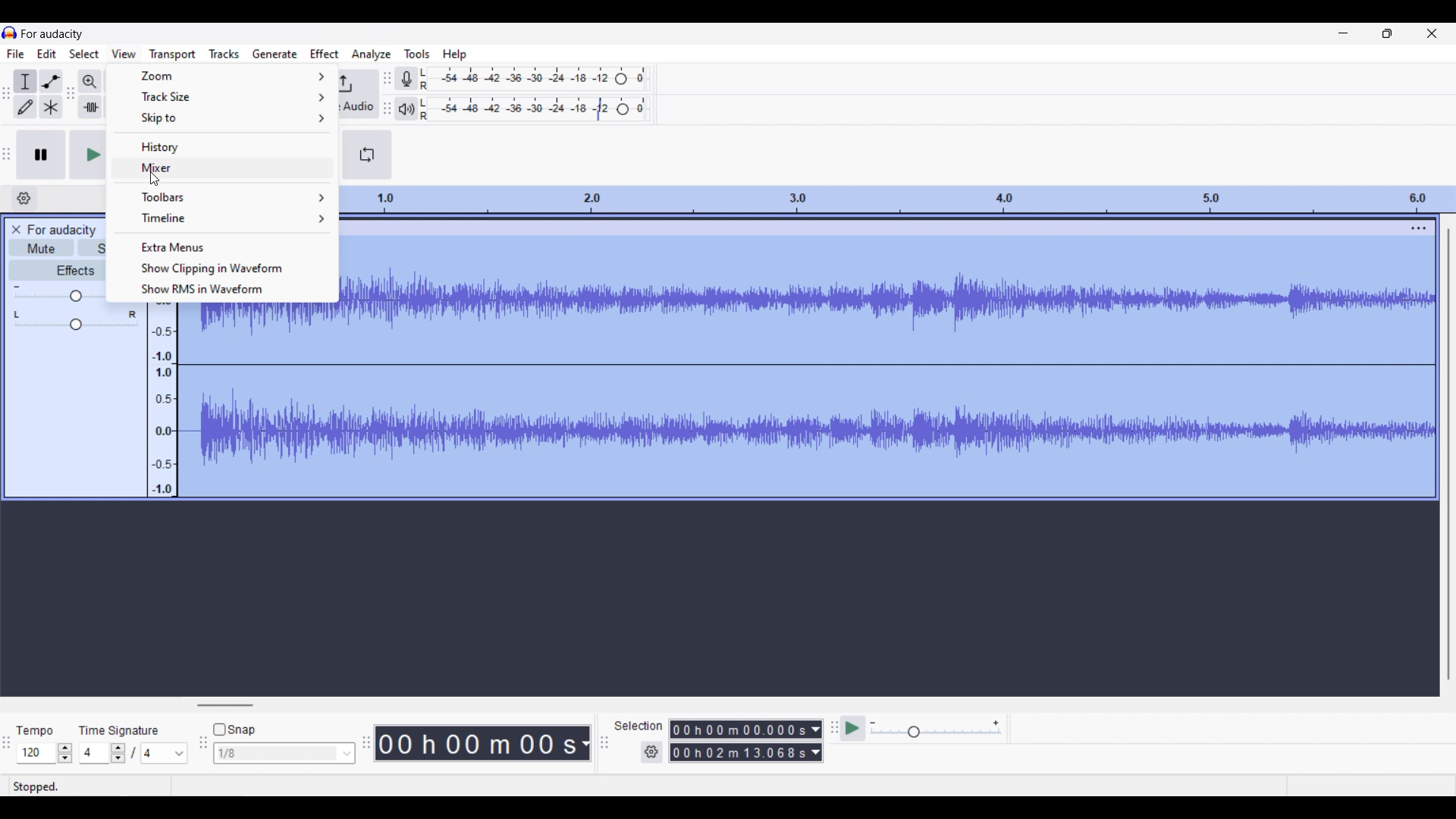 Image resolution: width=1456 pixels, height=819 pixels. What do you see at coordinates (936, 730) in the screenshot?
I see `Playback speed slider` at bounding box center [936, 730].